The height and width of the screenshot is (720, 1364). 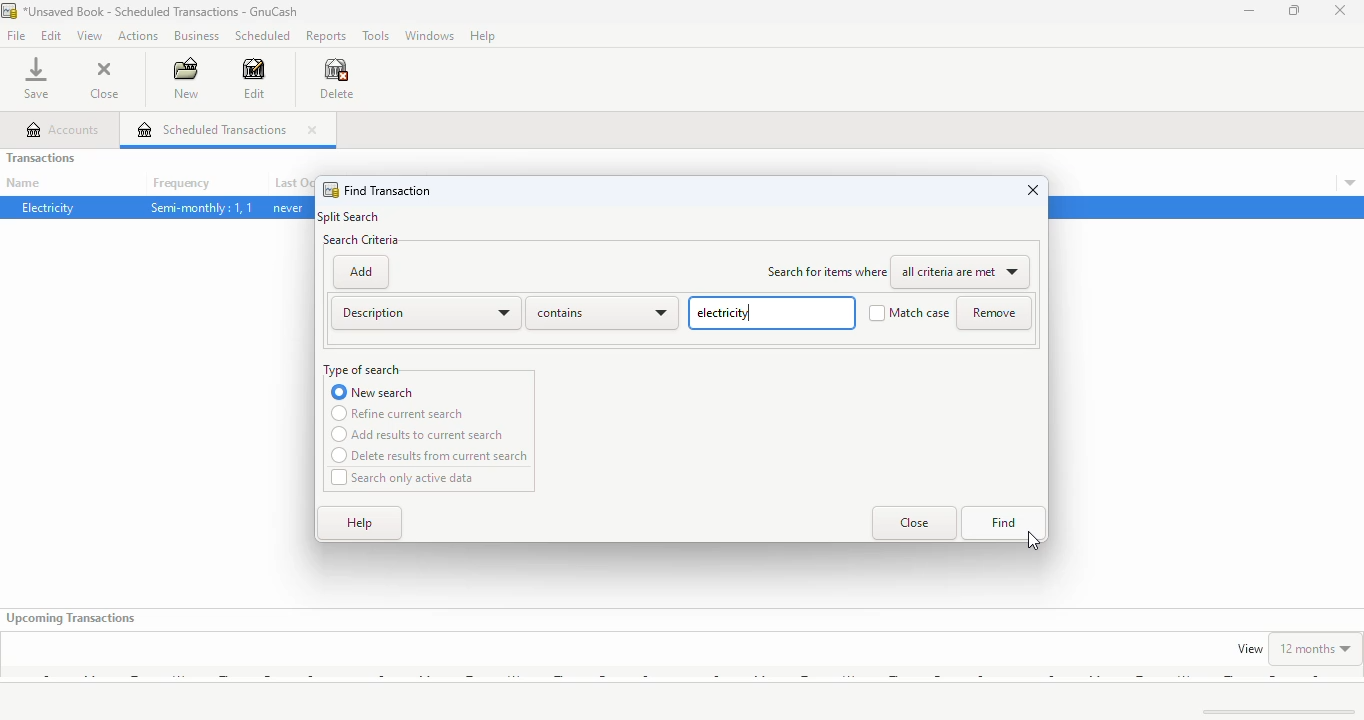 What do you see at coordinates (1034, 189) in the screenshot?
I see `close` at bounding box center [1034, 189].